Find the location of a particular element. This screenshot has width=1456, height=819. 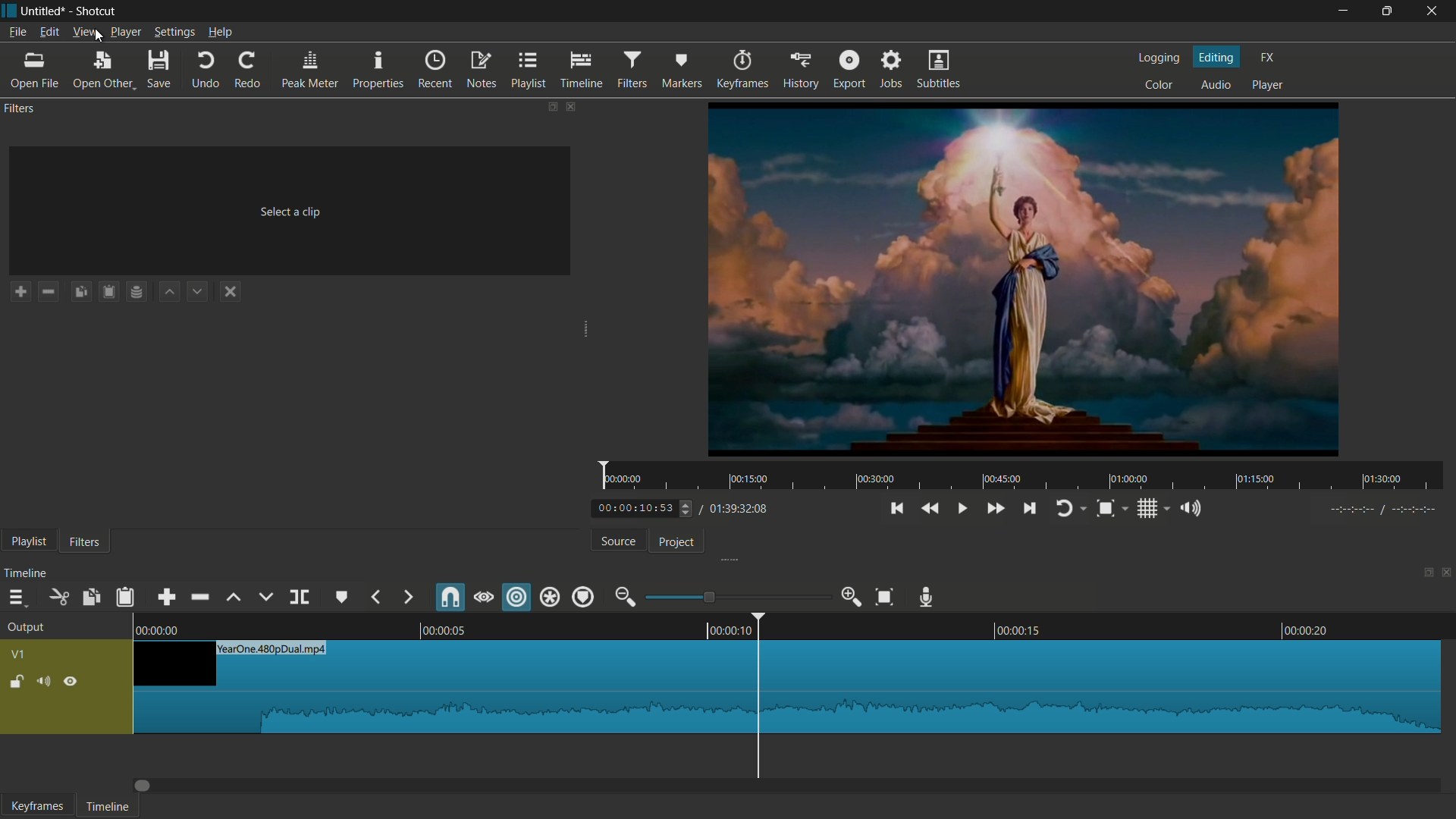

app name is located at coordinates (97, 11).